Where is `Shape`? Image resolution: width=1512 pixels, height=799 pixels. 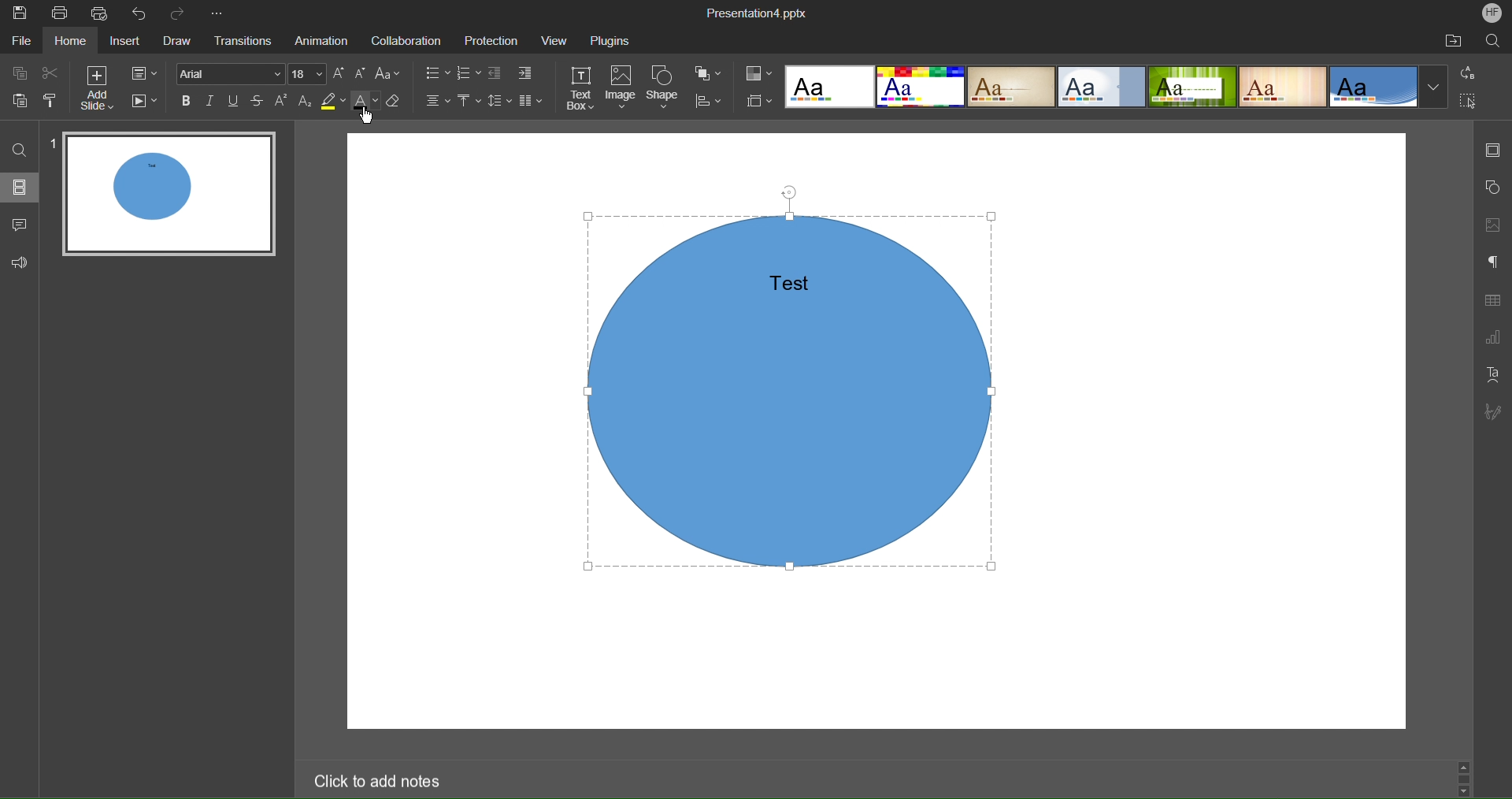
Shape is located at coordinates (665, 88).